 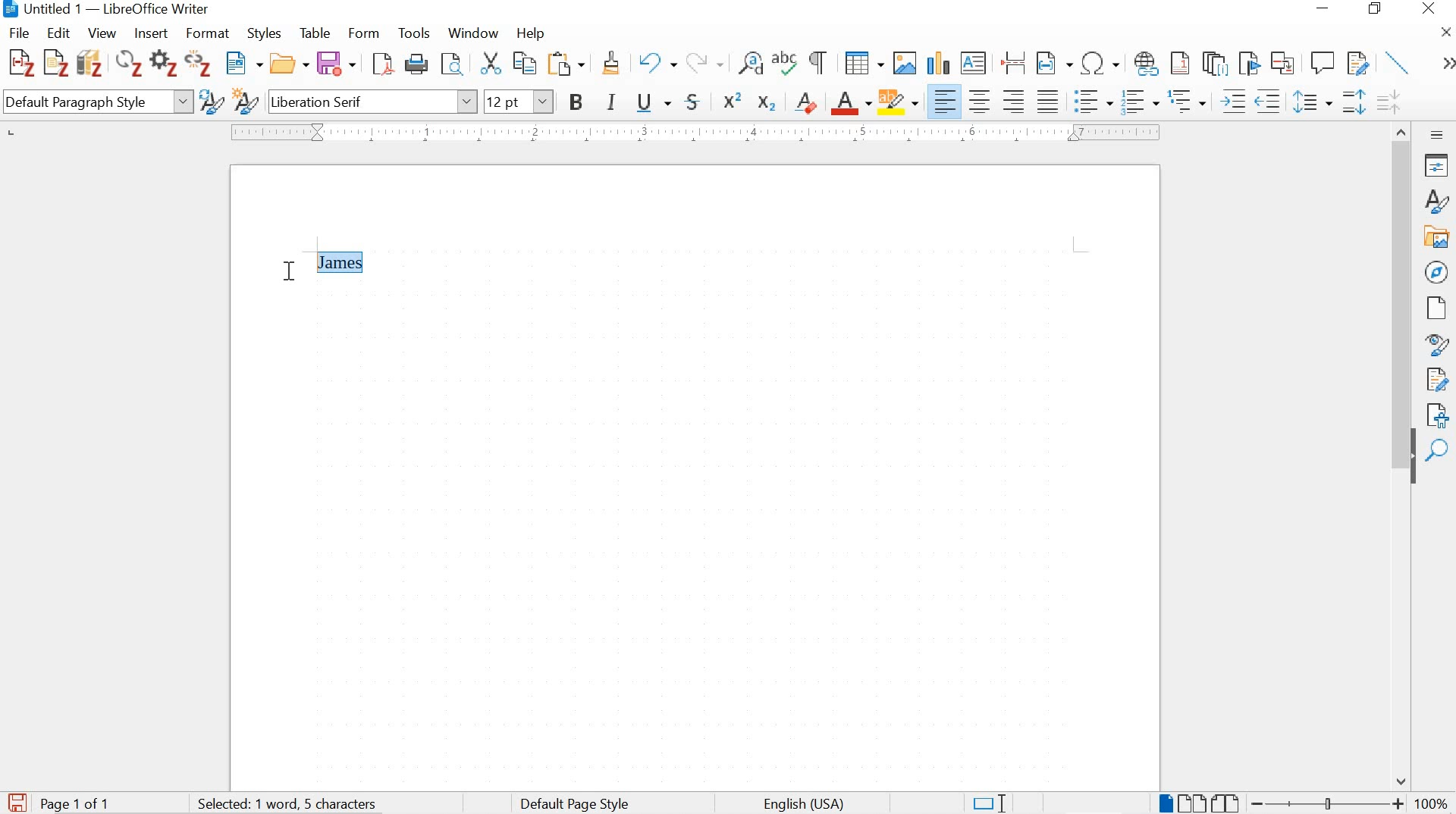 I want to click on toggle ordered list, so click(x=1138, y=102).